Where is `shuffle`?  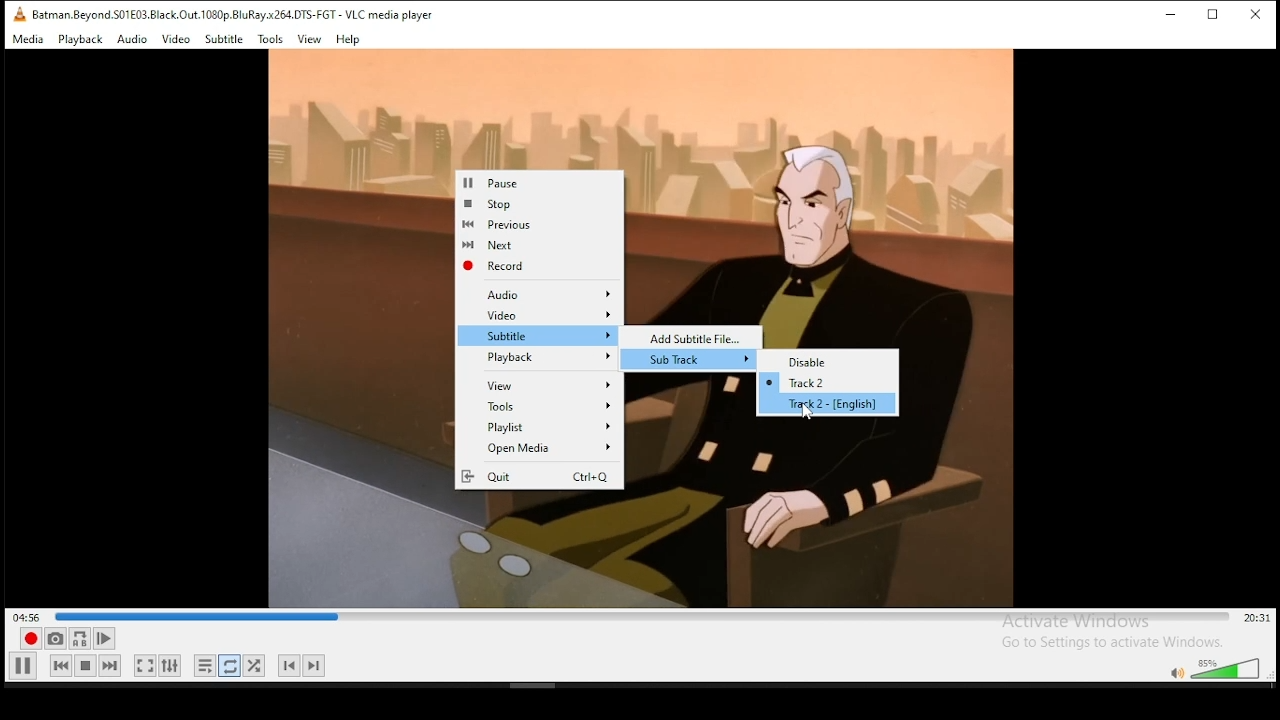
shuffle is located at coordinates (256, 665).